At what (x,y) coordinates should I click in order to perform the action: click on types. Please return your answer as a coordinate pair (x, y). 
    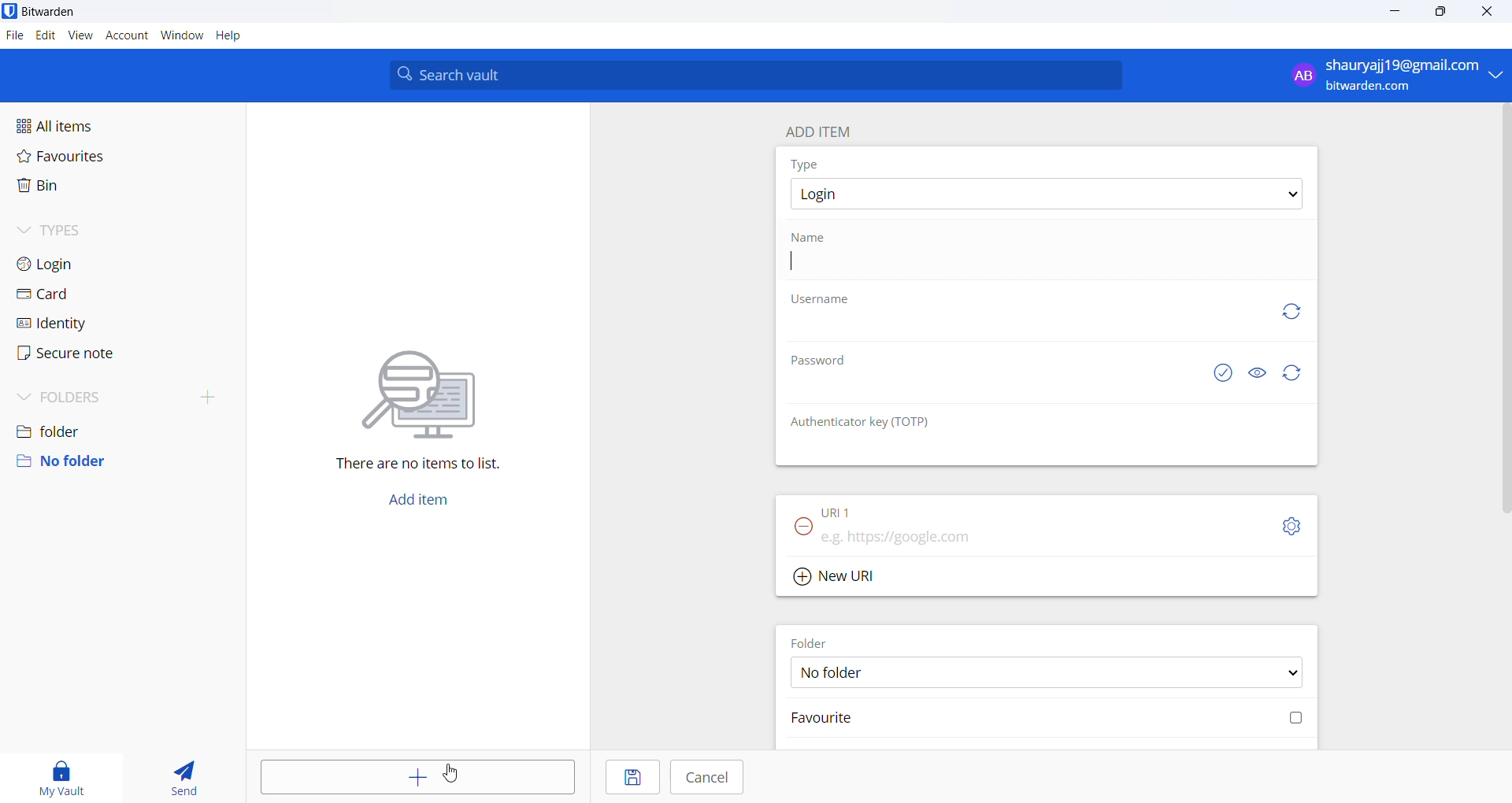
    Looking at the image, I should click on (87, 231).